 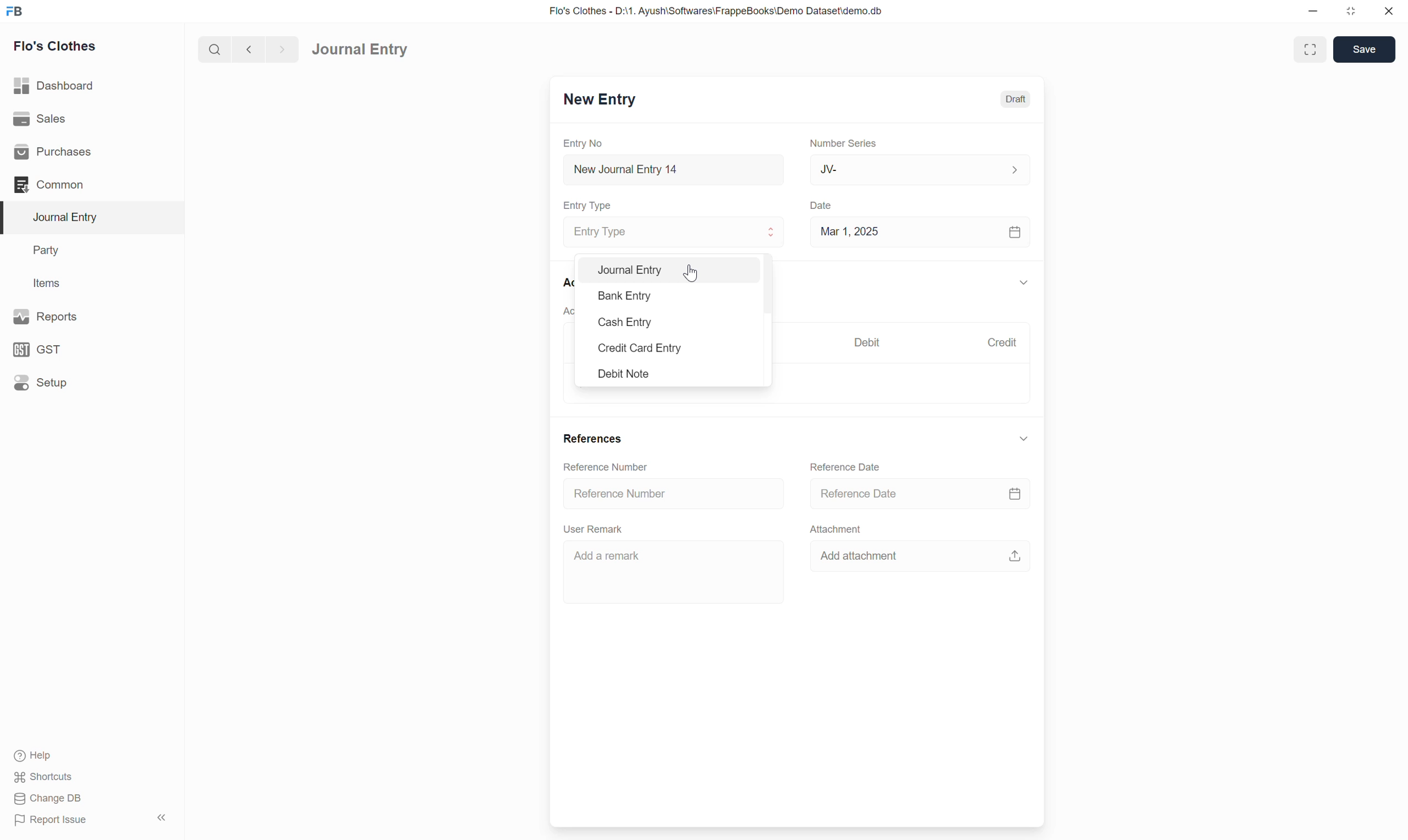 What do you see at coordinates (921, 169) in the screenshot?
I see `JV-` at bounding box center [921, 169].